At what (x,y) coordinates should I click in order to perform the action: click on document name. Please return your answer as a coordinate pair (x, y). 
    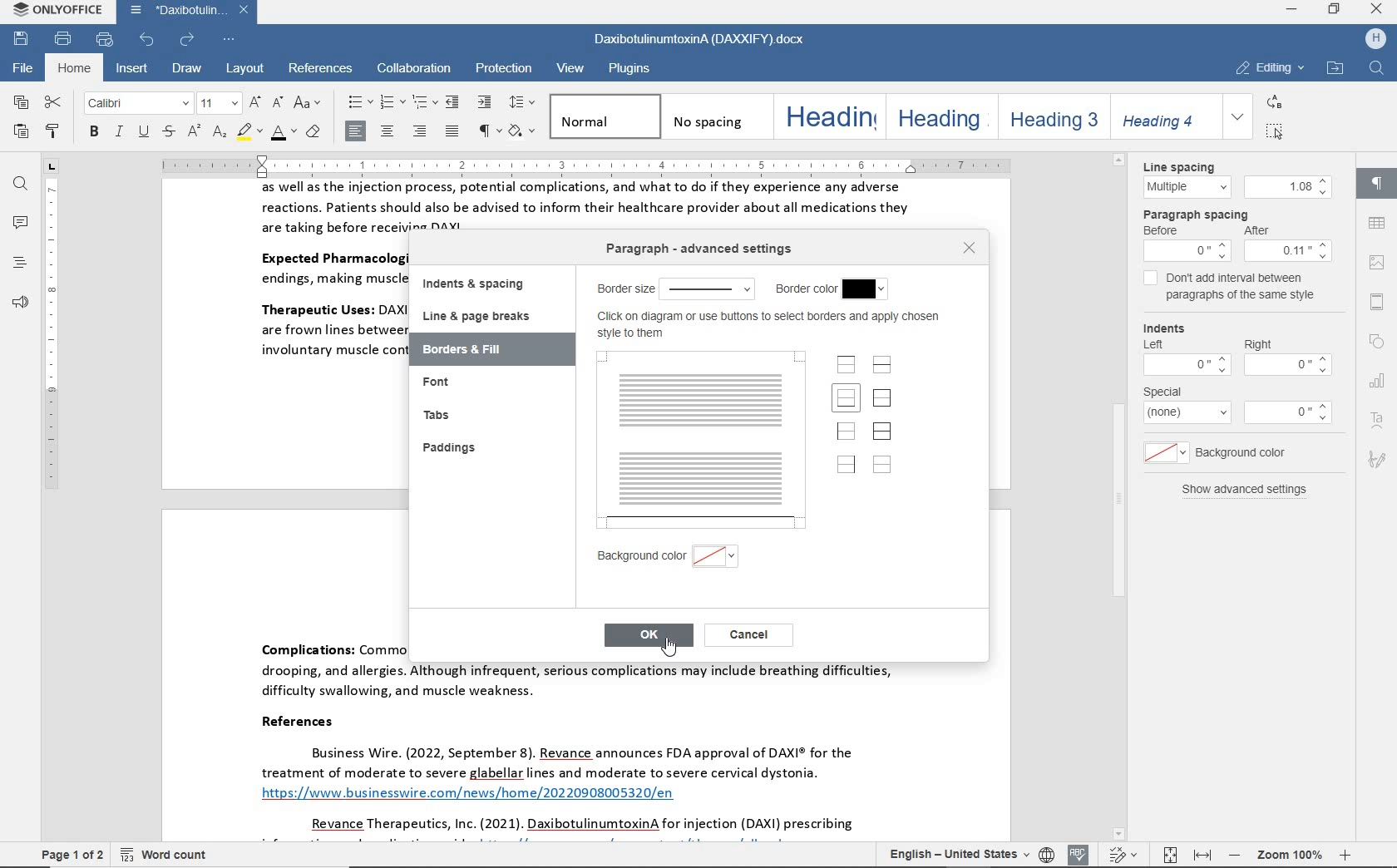
    Looking at the image, I should click on (191, 11).